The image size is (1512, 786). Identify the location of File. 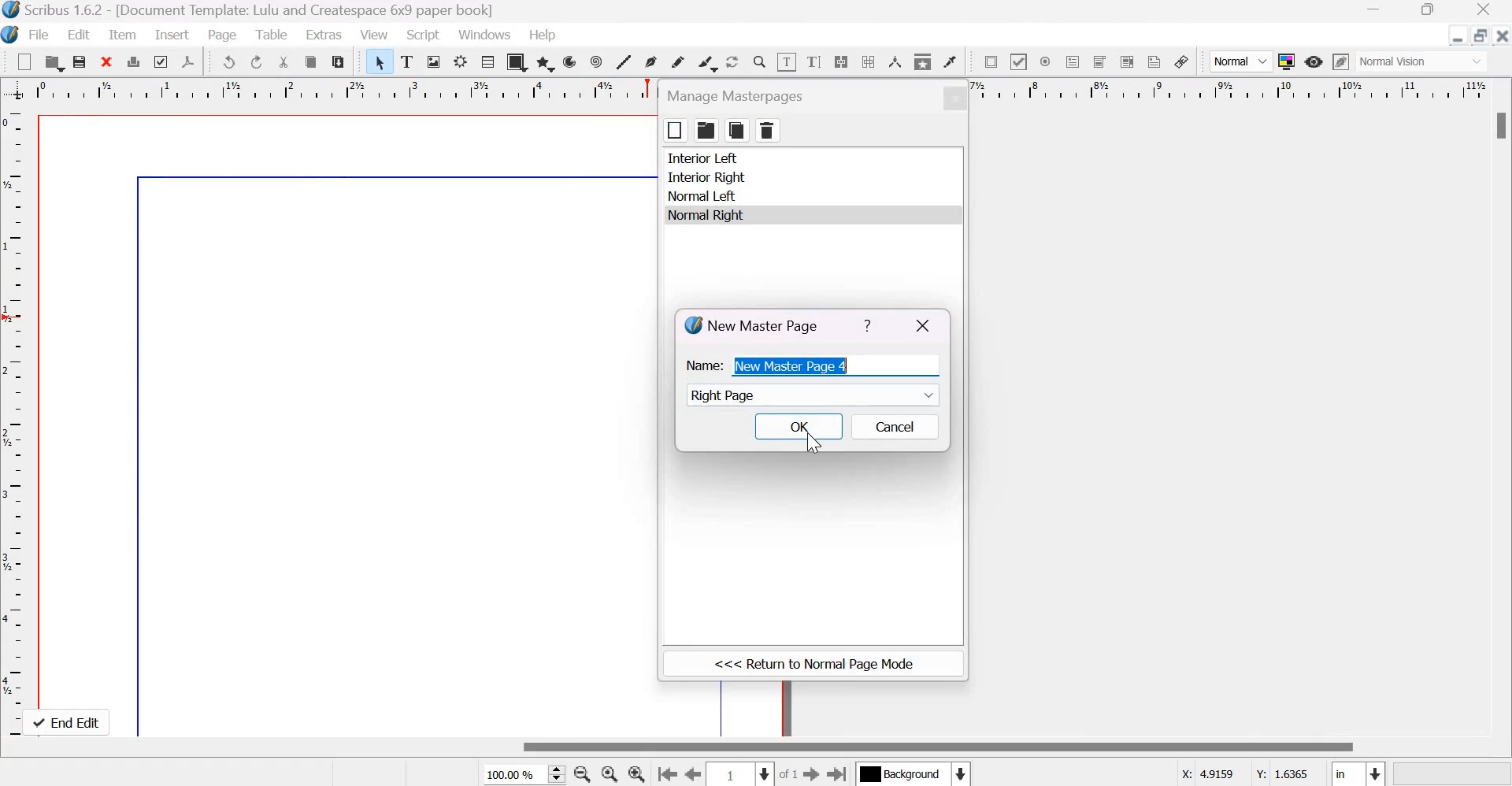
(38, 34).